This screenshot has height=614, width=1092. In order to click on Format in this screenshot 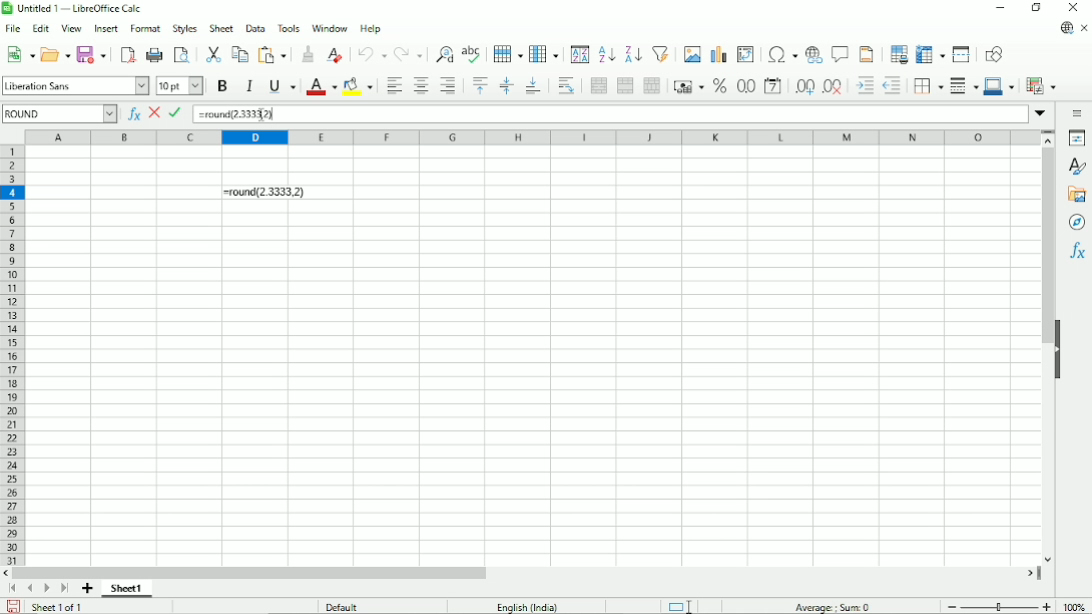, I will do `click(146, 28)`.